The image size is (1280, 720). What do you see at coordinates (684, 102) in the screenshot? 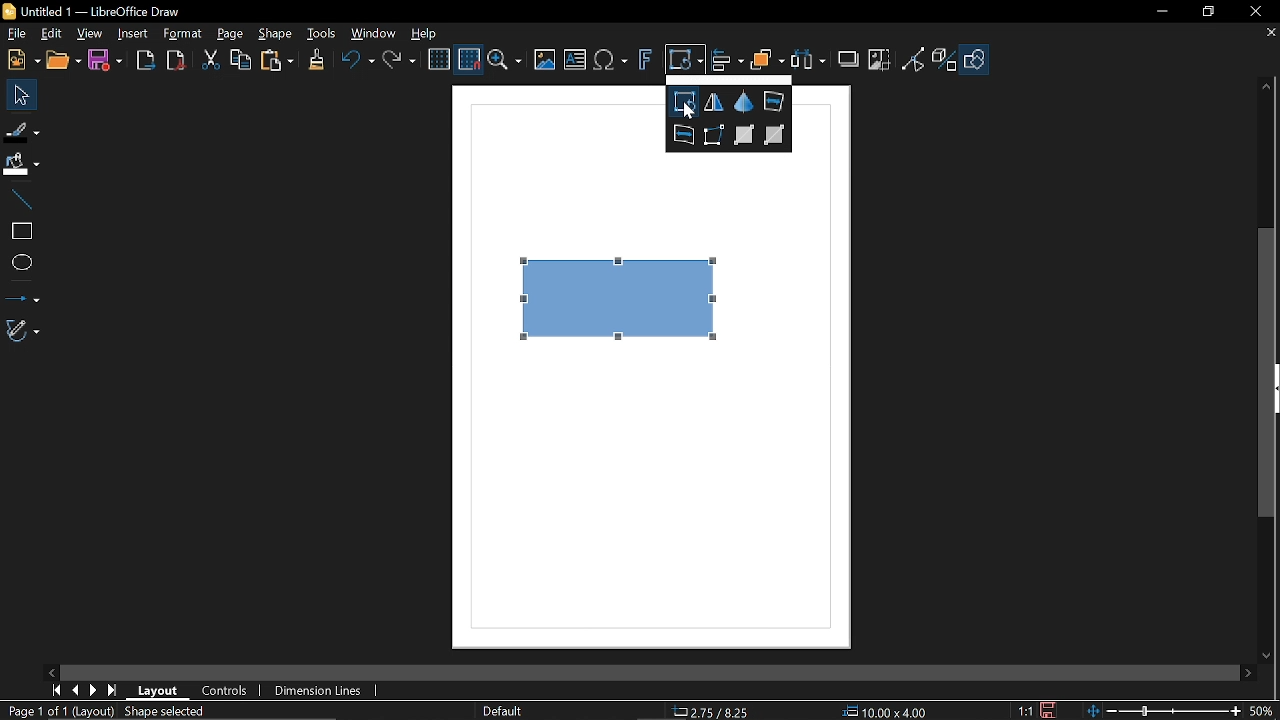
I see `ROtation` at bounding box center [684, 102].